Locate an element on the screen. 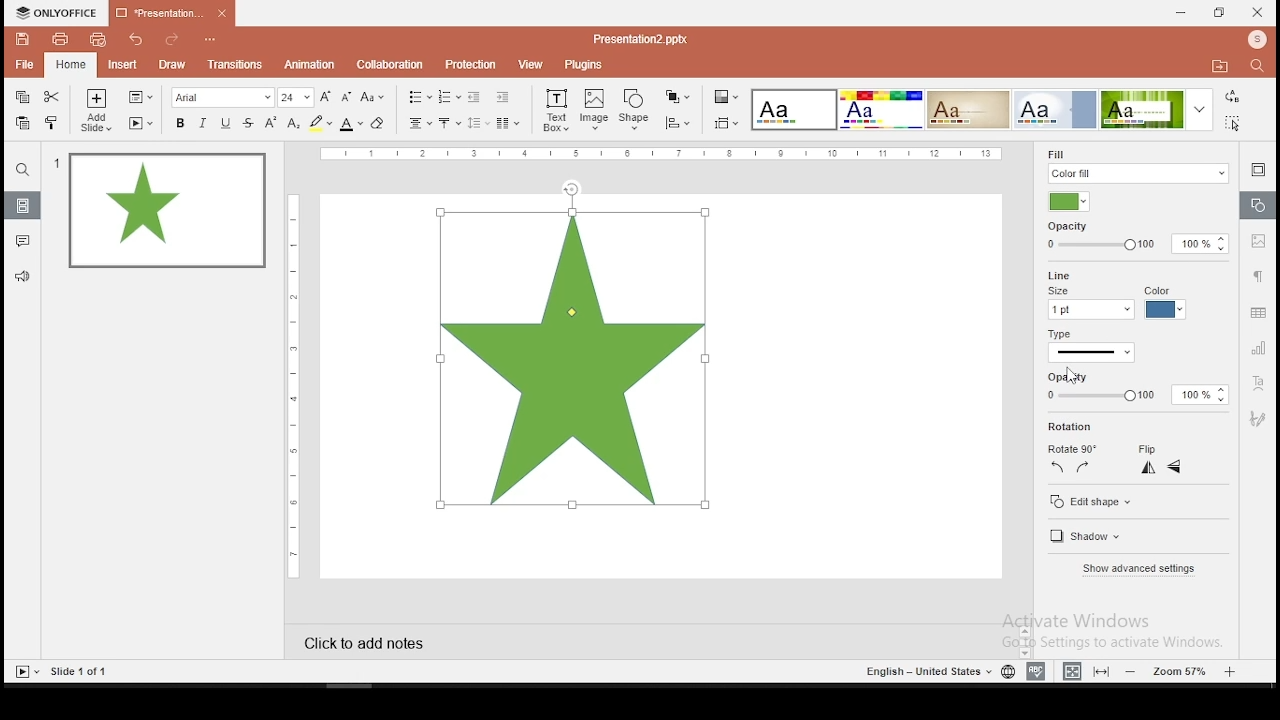 This screenshot has width=1280, height=720. line color is located at coordinates (1167, 299).